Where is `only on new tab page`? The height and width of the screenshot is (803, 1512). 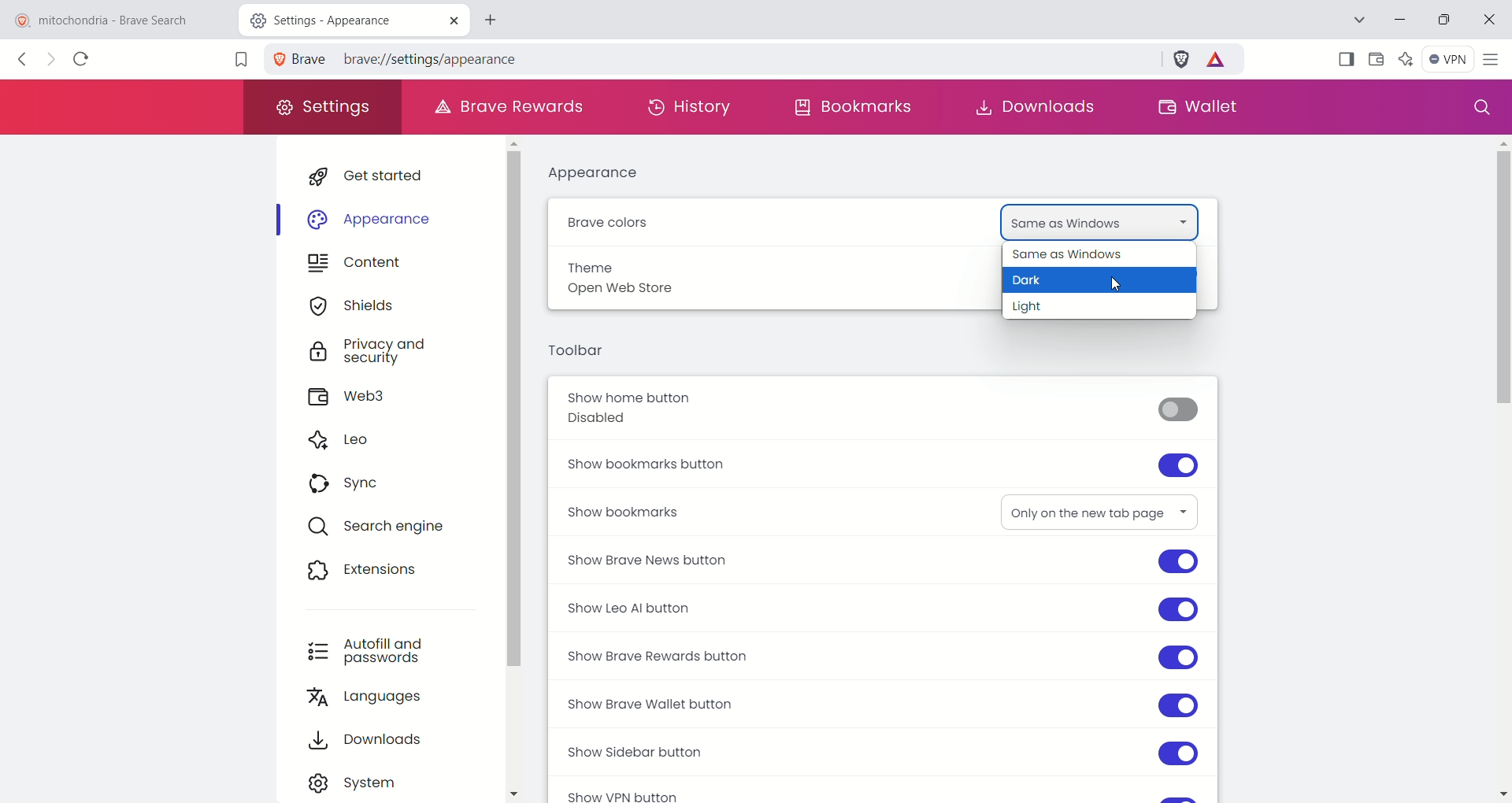 only on new tab page is located at coordinates (1088, 508).